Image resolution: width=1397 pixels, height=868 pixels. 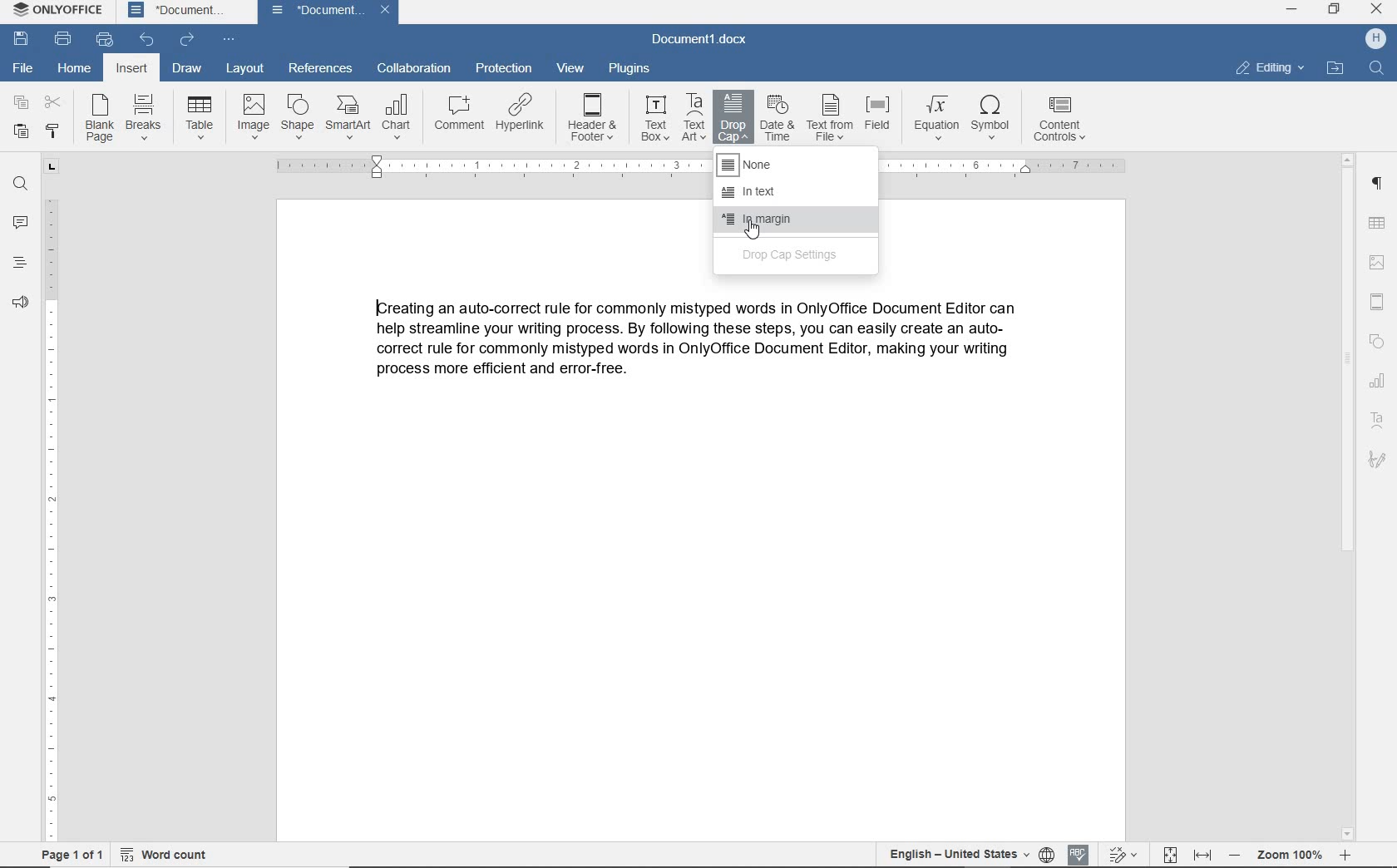 What do you see at coordinates (1122, 856) in the screenshot?
I see `track changes` at bounding box center [1122, 856].